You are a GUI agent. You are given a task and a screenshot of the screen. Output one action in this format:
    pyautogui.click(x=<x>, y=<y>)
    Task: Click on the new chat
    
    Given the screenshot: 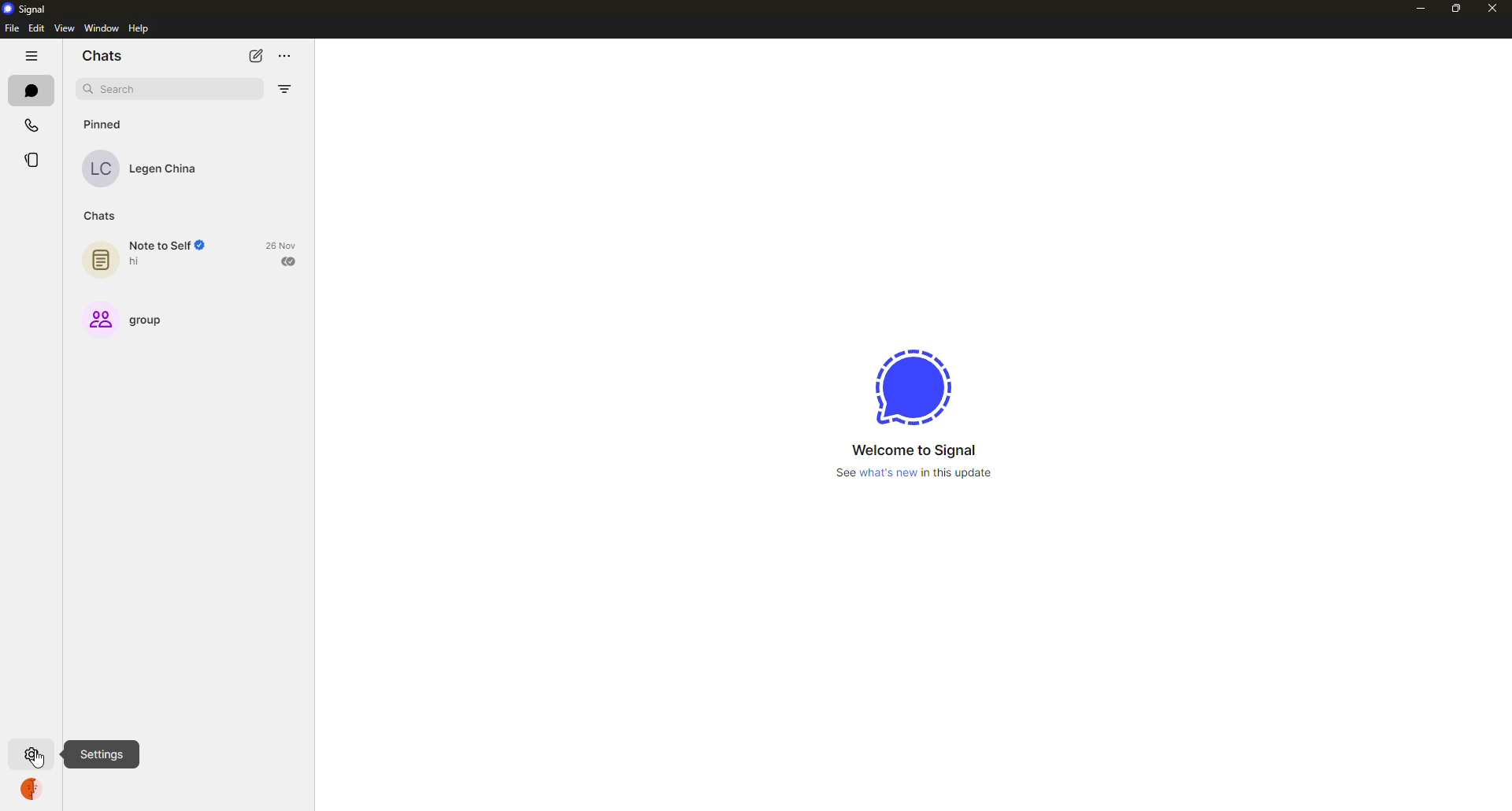 What is the action you would take?
    pyautogui.click(x=251, y=55)
    